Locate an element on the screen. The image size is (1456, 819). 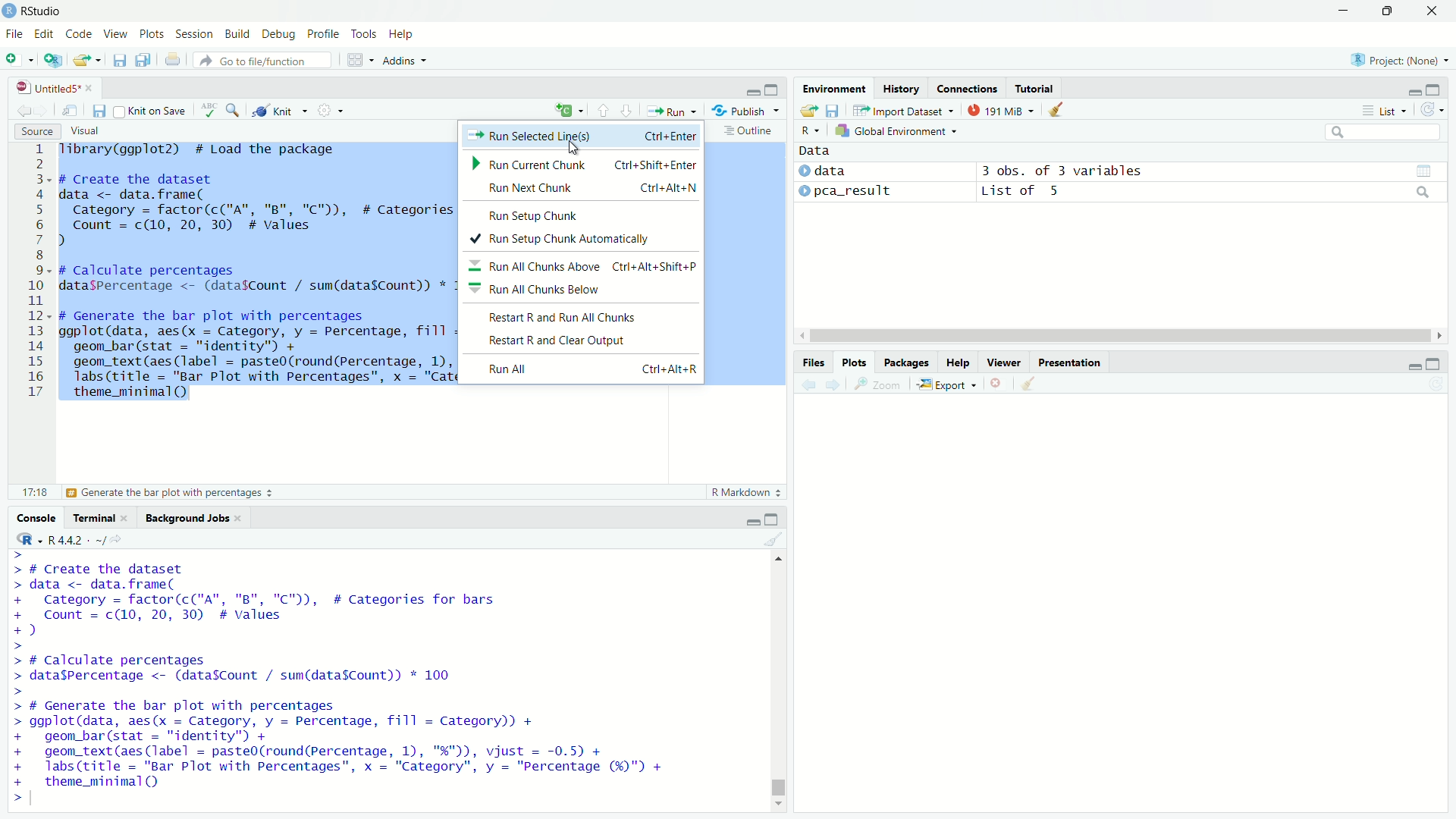
save is located at coordinates (118, 60).